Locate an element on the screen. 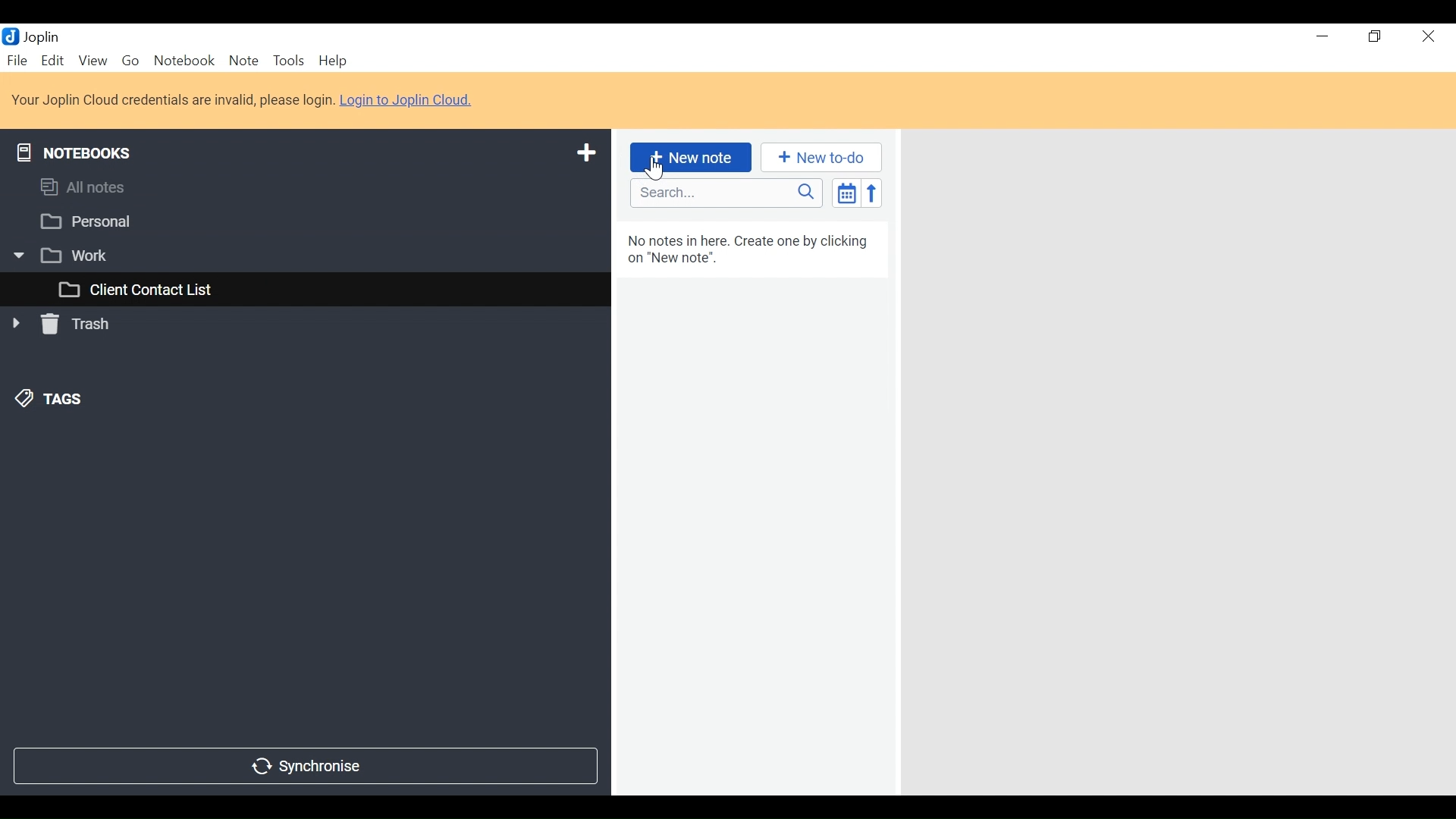 This screenshot has width=1456, height=819. Your Joplin Cloud credentials are invalid, please login. Login to Joplin Cloud. is located at coordinates (245, 99).